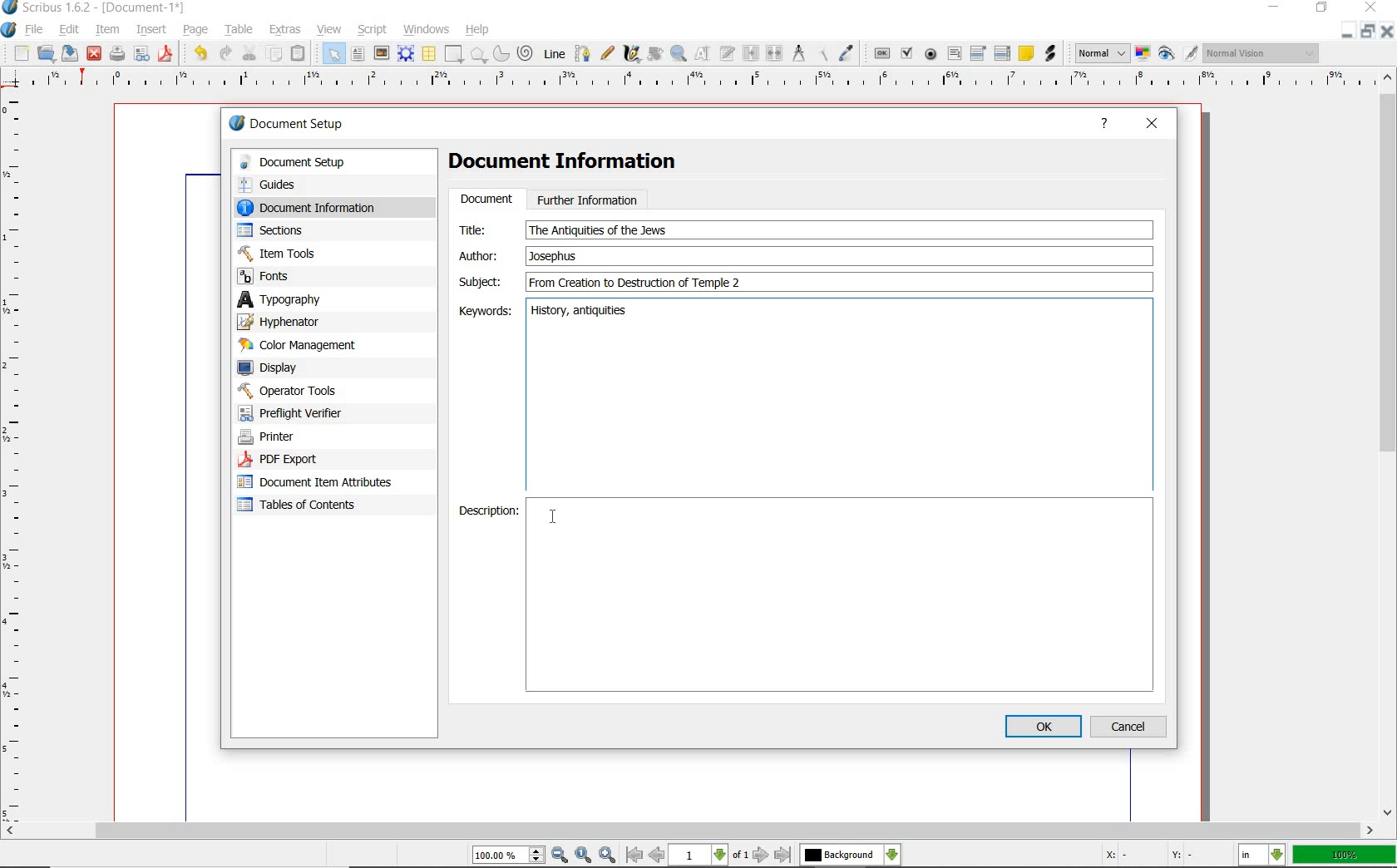  I want to click on help, so click(1104, 126).